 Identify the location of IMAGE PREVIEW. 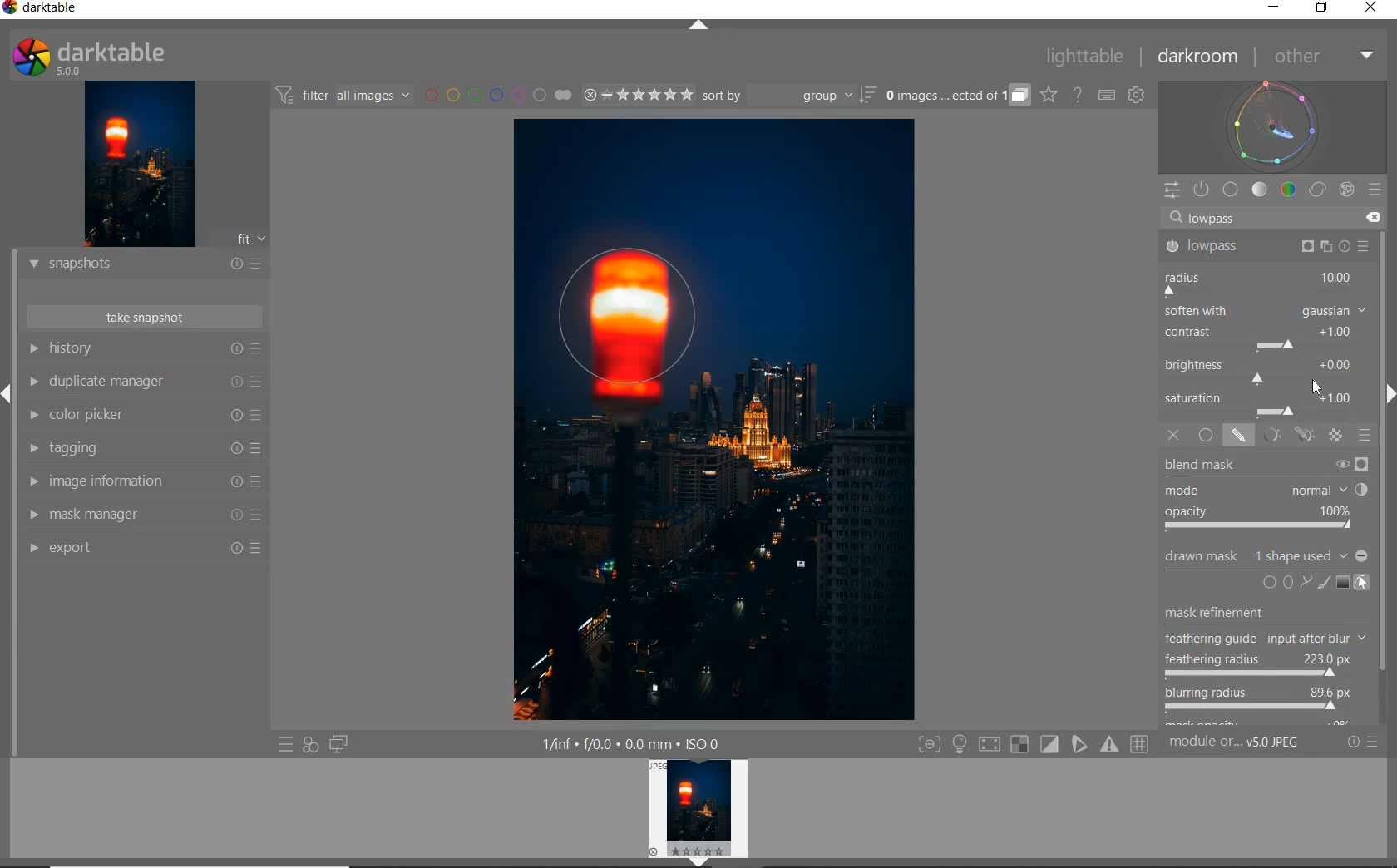
(701, 813).